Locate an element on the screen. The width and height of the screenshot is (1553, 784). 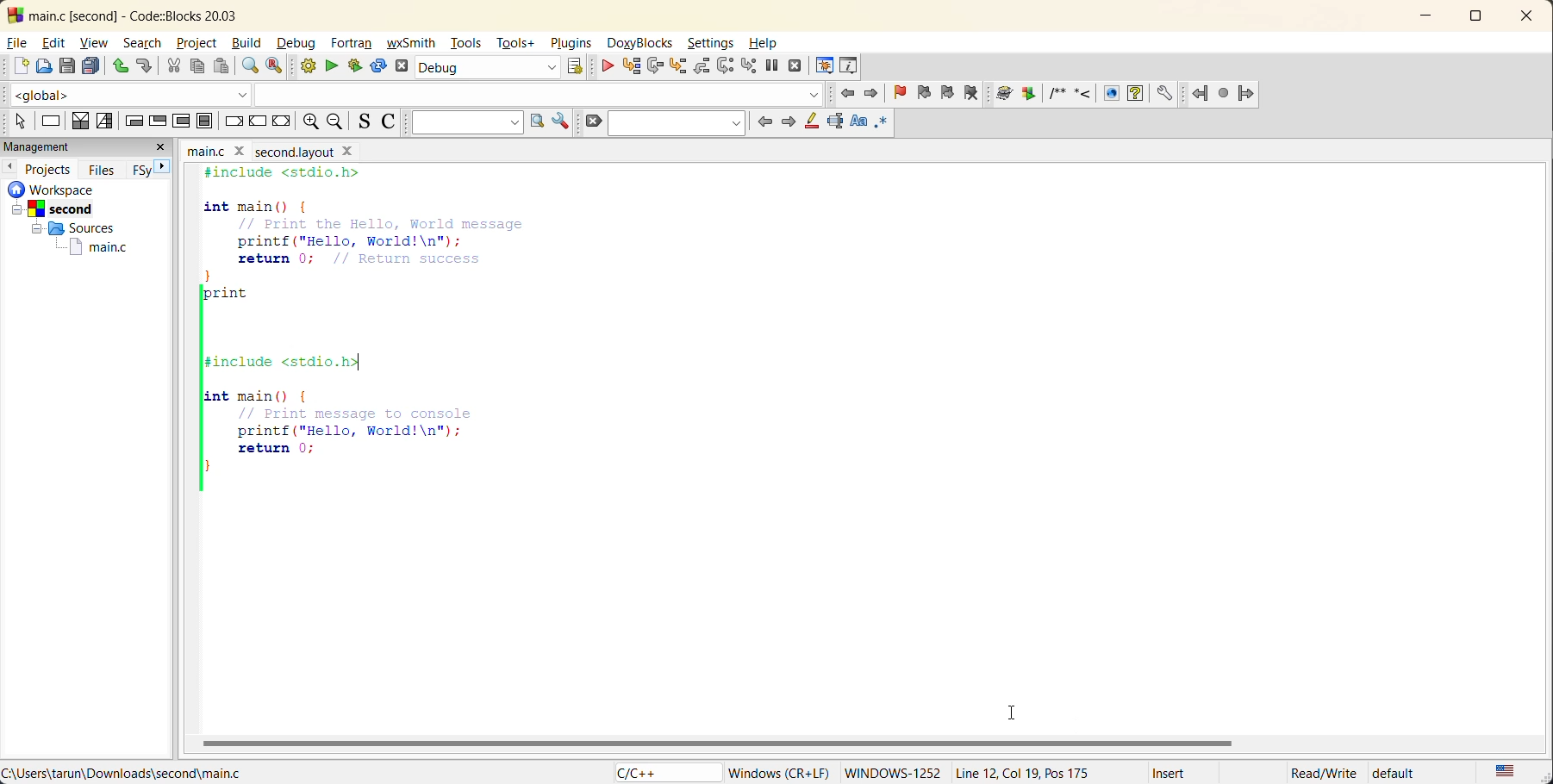
Windows-1252 is located at coordinates (895, 770).